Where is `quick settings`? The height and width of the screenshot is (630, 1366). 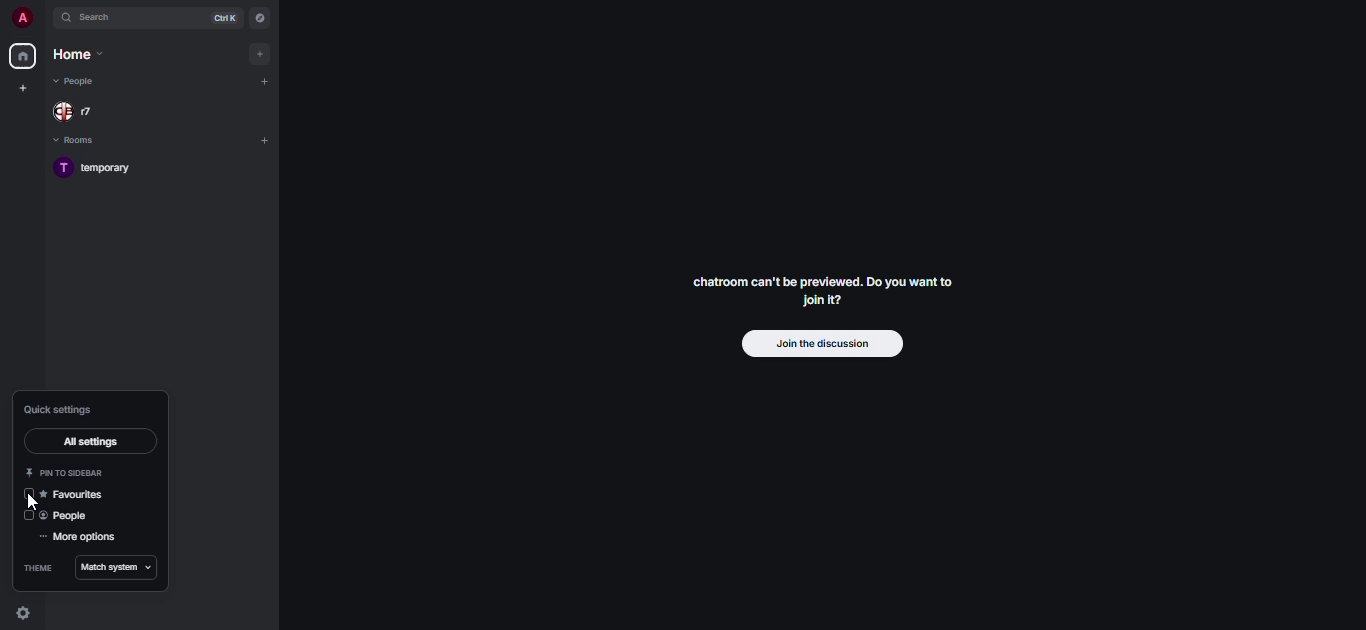 quick settings is located at coordinates (28, 613).